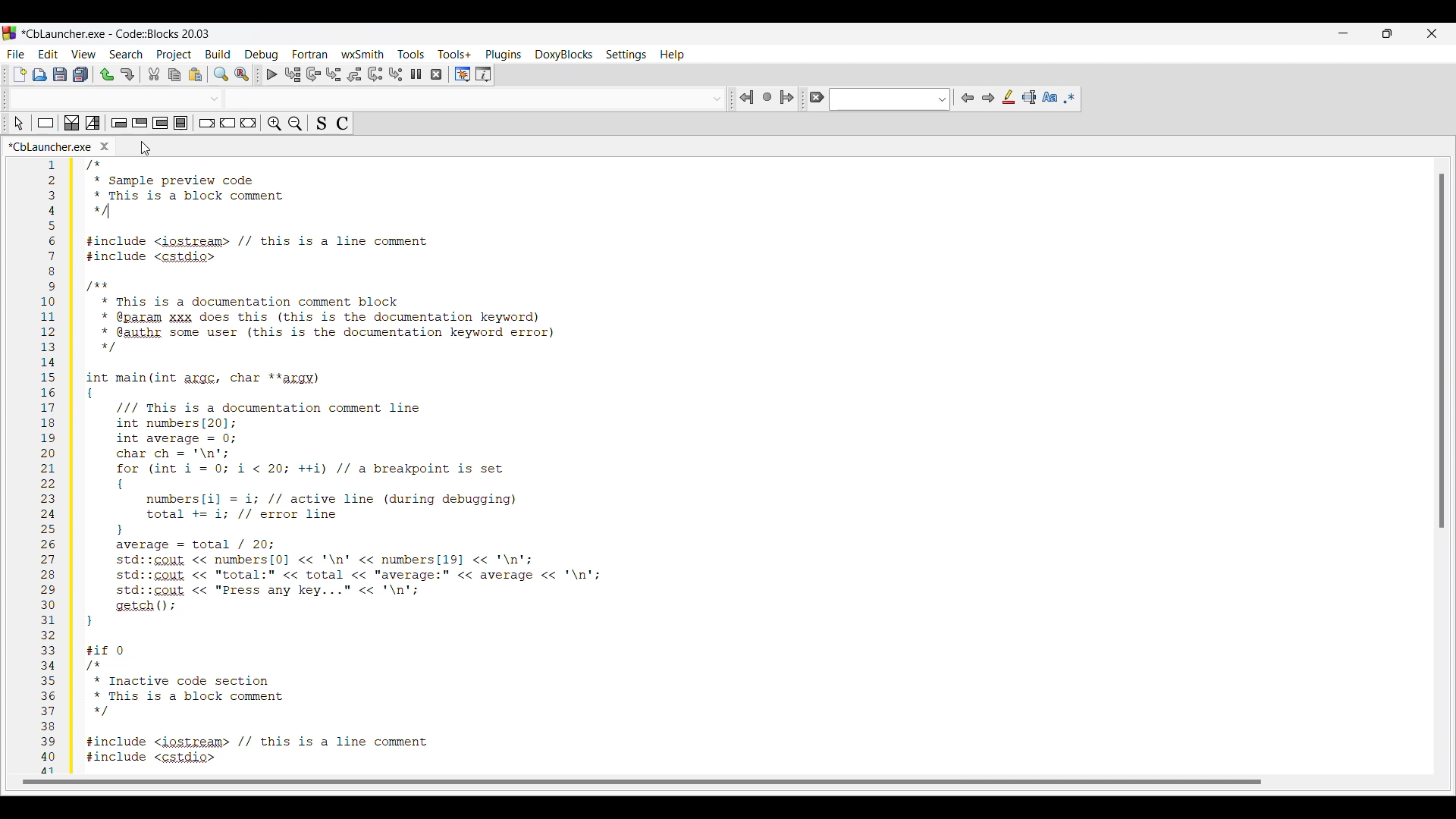 Image resolution: width=1456 pixels, height=819 pixels. What do you see at coordinates (375, 74) in the screenshot?
I see `Next instruction` at bounding box center [375, 74].